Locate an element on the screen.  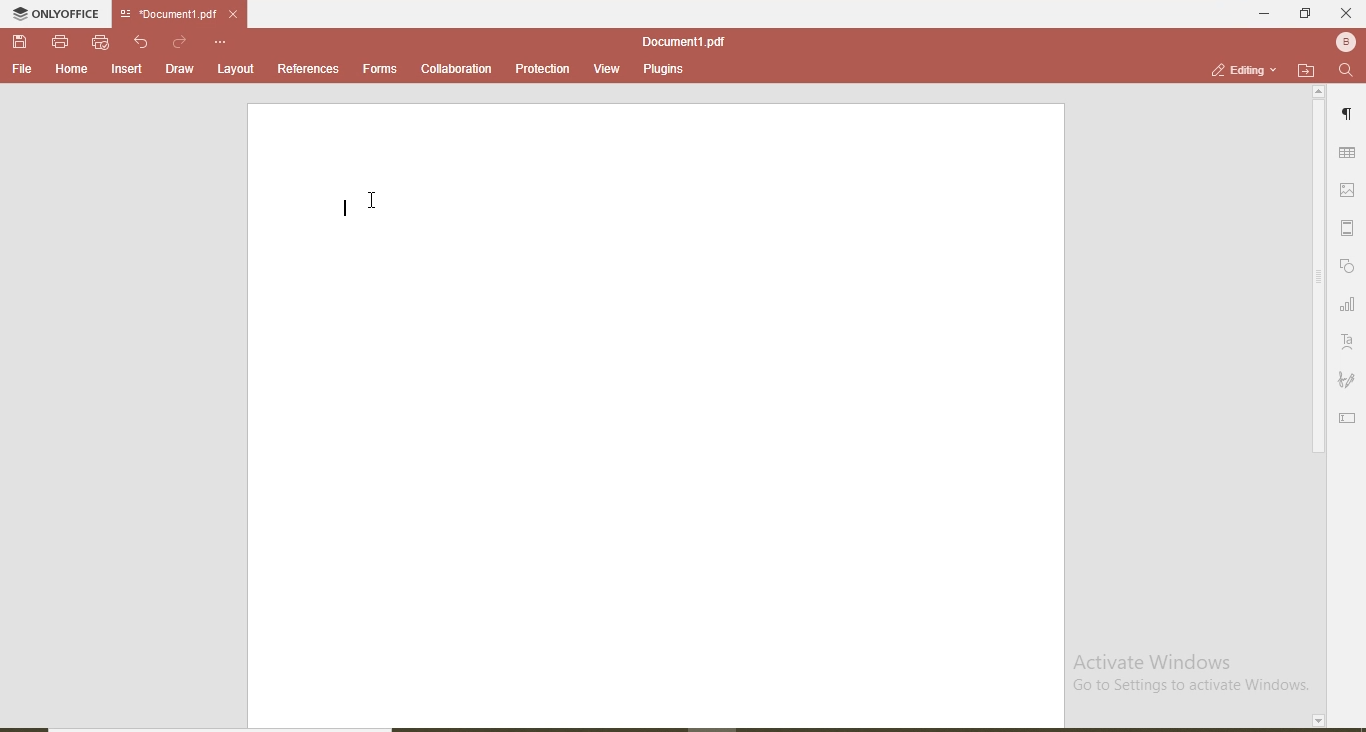
text is located at coordinates (1348, 342).